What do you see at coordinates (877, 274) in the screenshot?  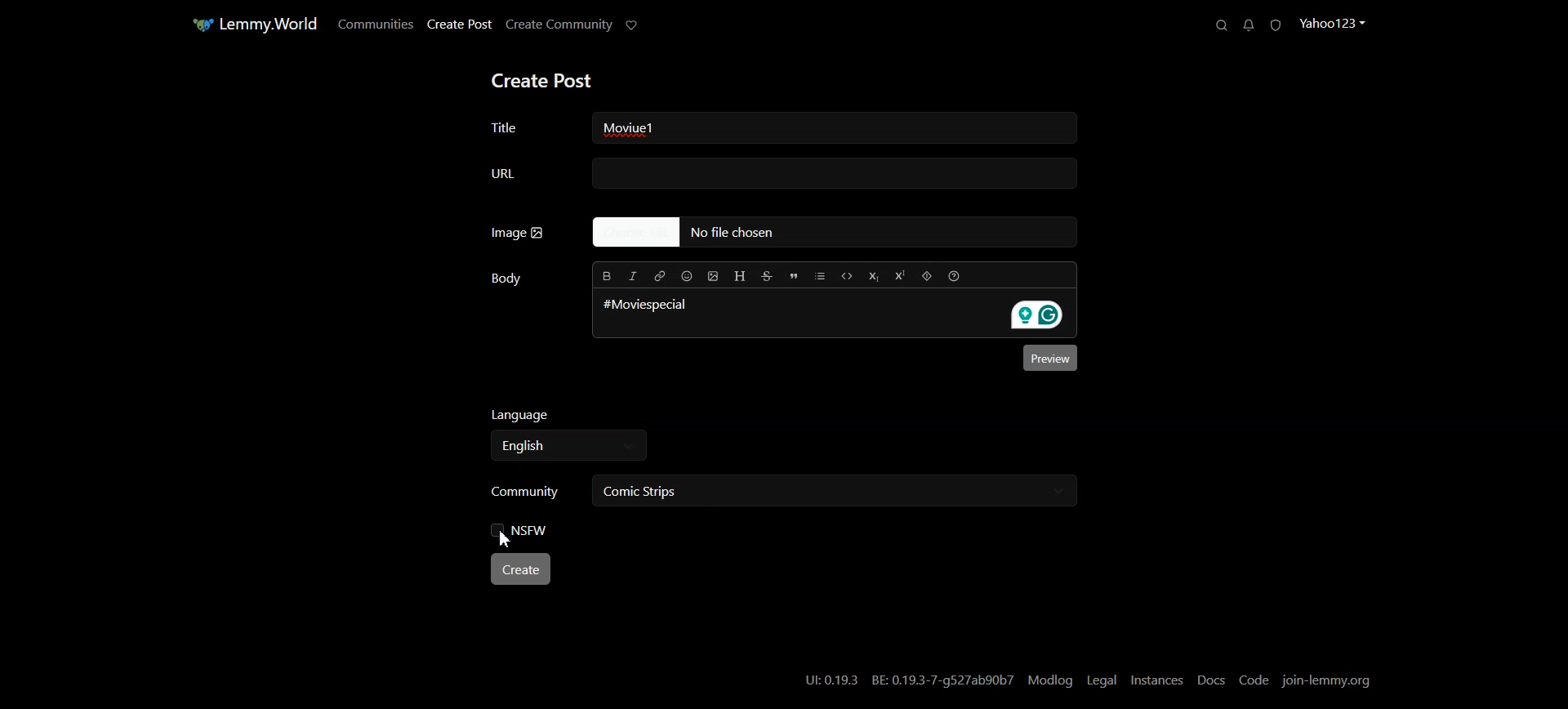 I see `Subscript` at bounding box center [877, 274].